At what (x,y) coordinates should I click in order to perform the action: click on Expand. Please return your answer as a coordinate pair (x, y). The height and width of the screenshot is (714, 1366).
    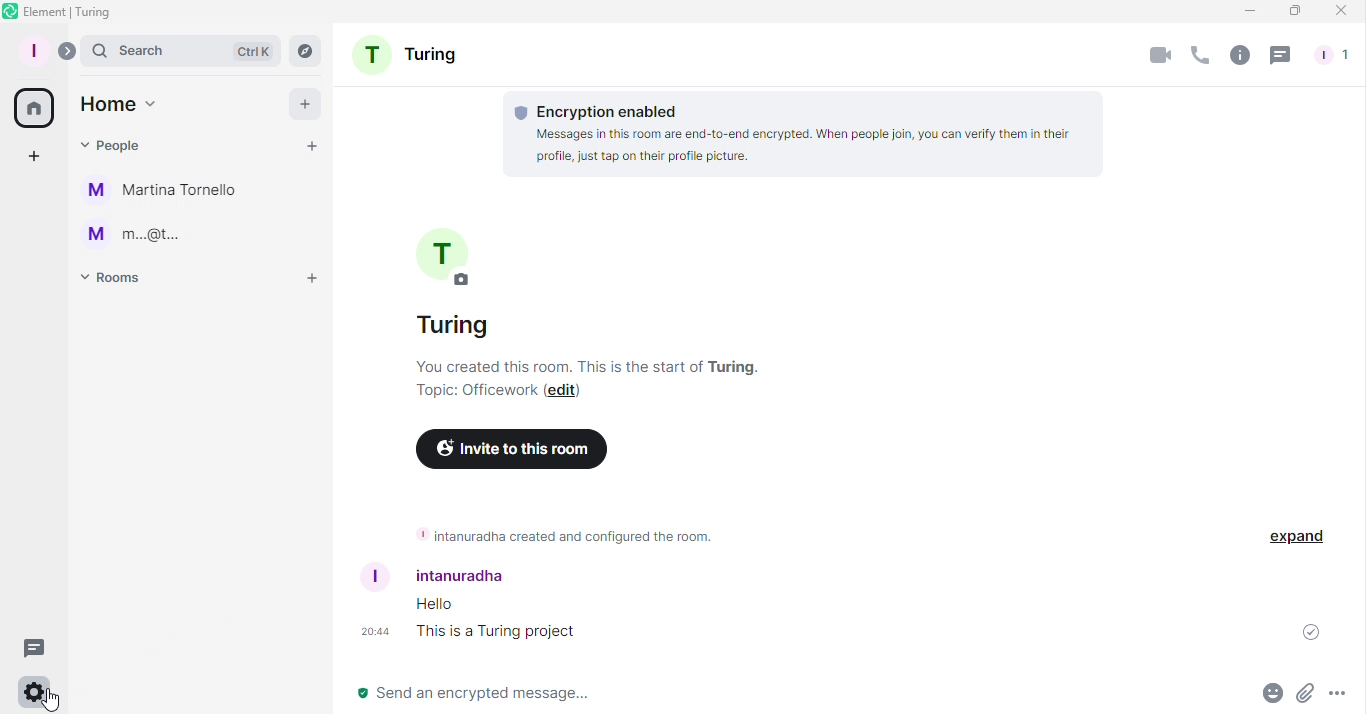
    Looking at the image, I should click on (1298, 537).